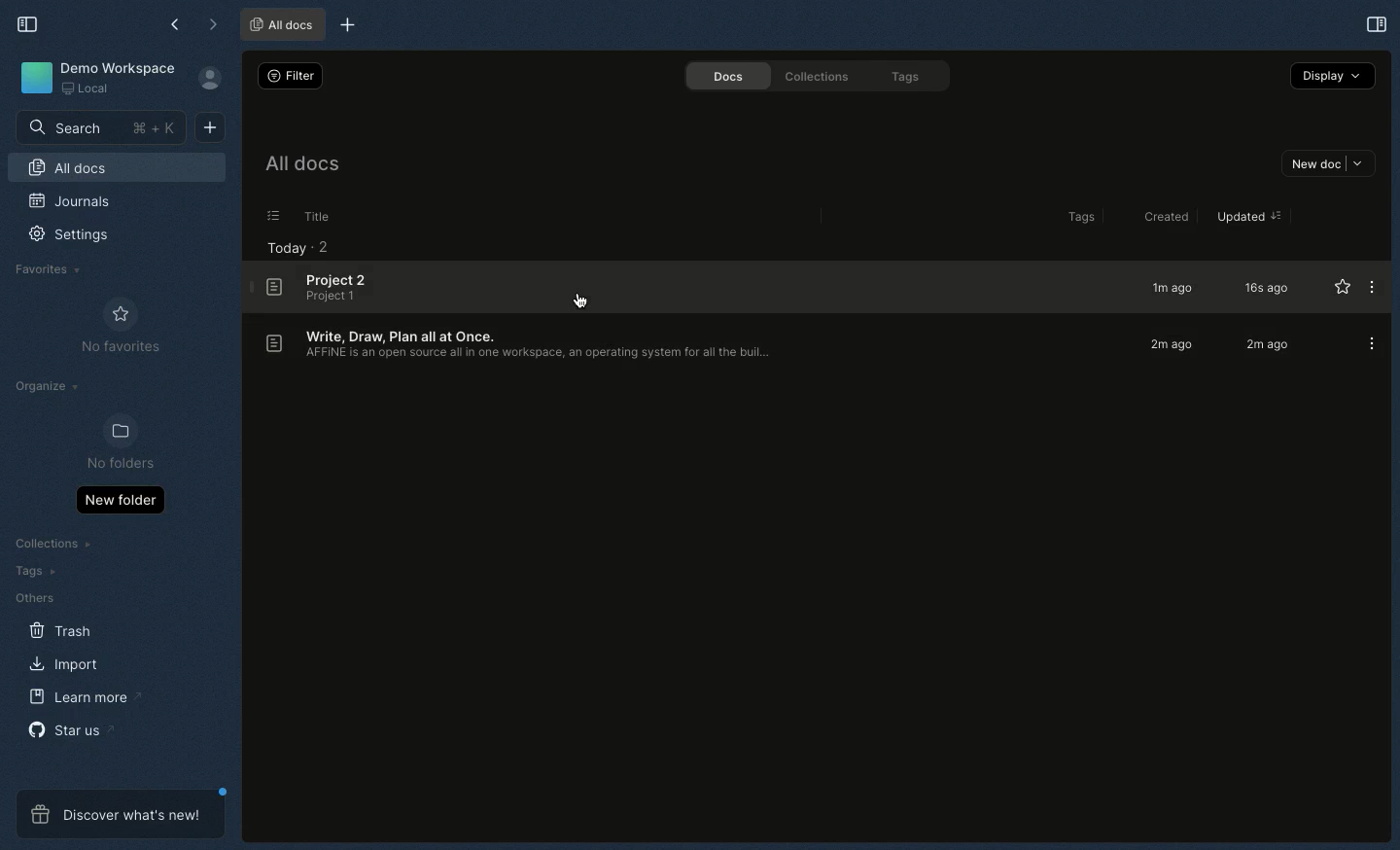 The width and height of the screenshot is (1400, 850). Describe the element at coordinates (279, 23) in the screenshot. I see `All docs` at that location.